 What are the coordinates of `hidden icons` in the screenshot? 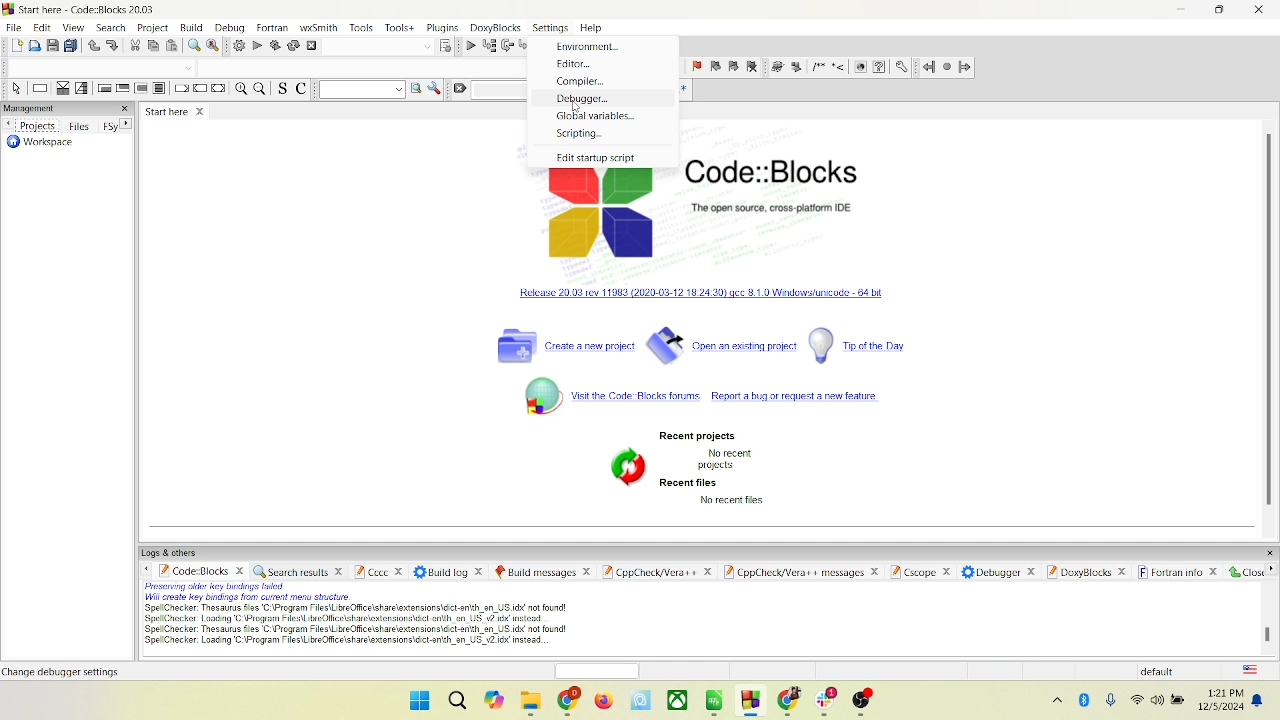 It's located at (1055, 703).